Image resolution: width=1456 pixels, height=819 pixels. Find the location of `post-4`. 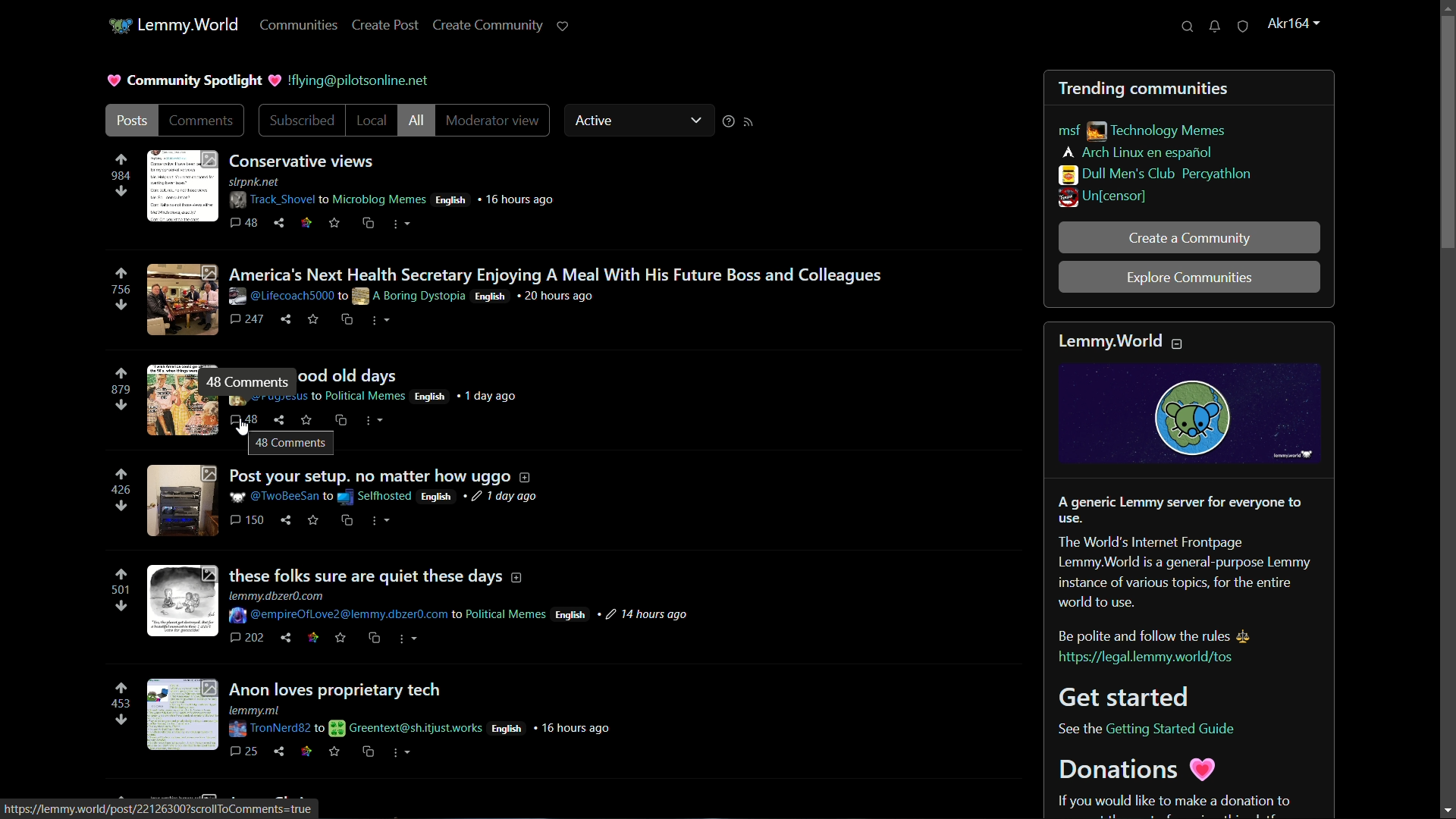

post-4 is located at coordinates (342, 502).